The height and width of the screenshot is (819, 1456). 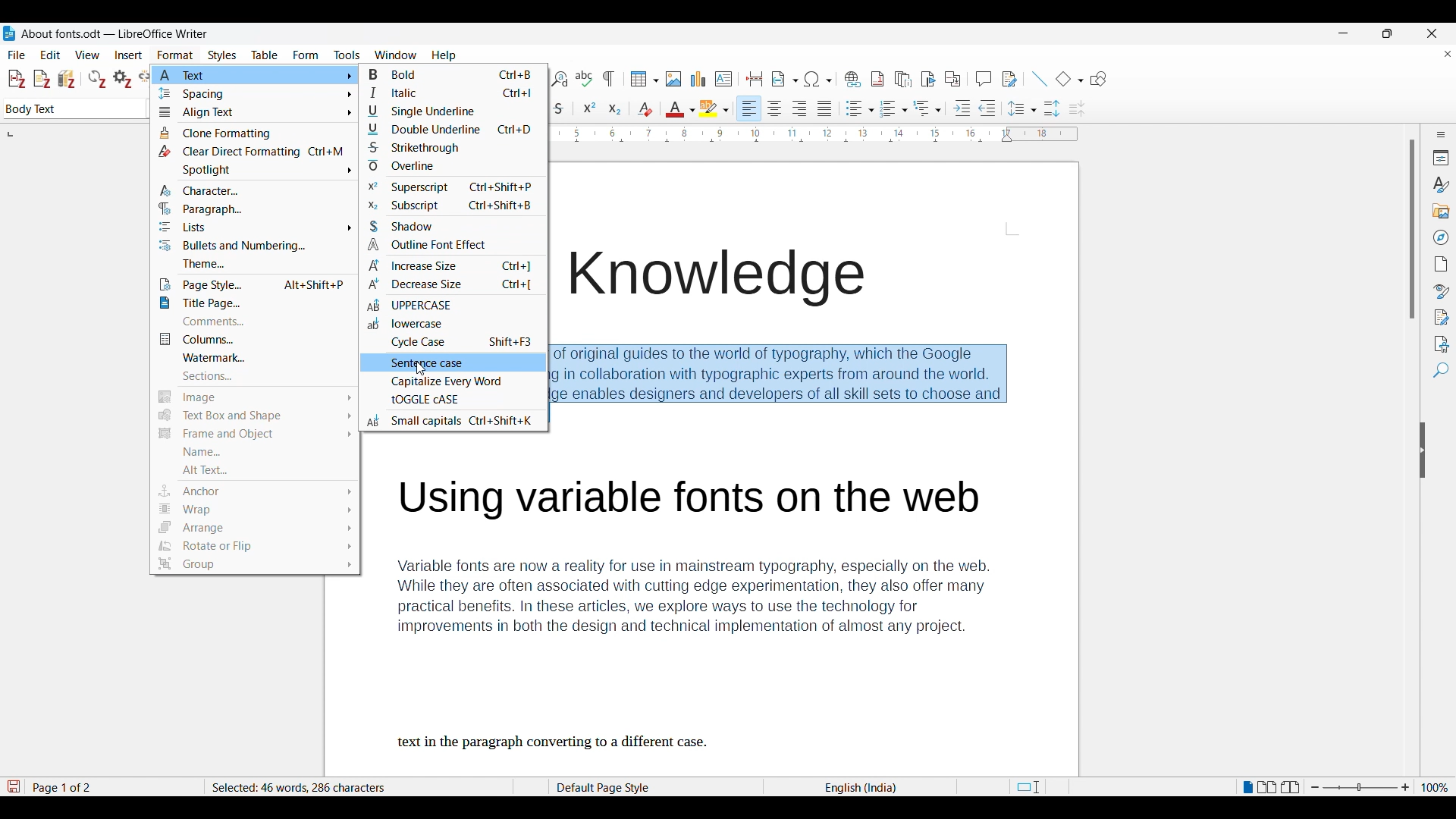 What do you see at coordinates (9, 33) in the screenshot?
I see `Software logo` at bounding box center [9, 33].